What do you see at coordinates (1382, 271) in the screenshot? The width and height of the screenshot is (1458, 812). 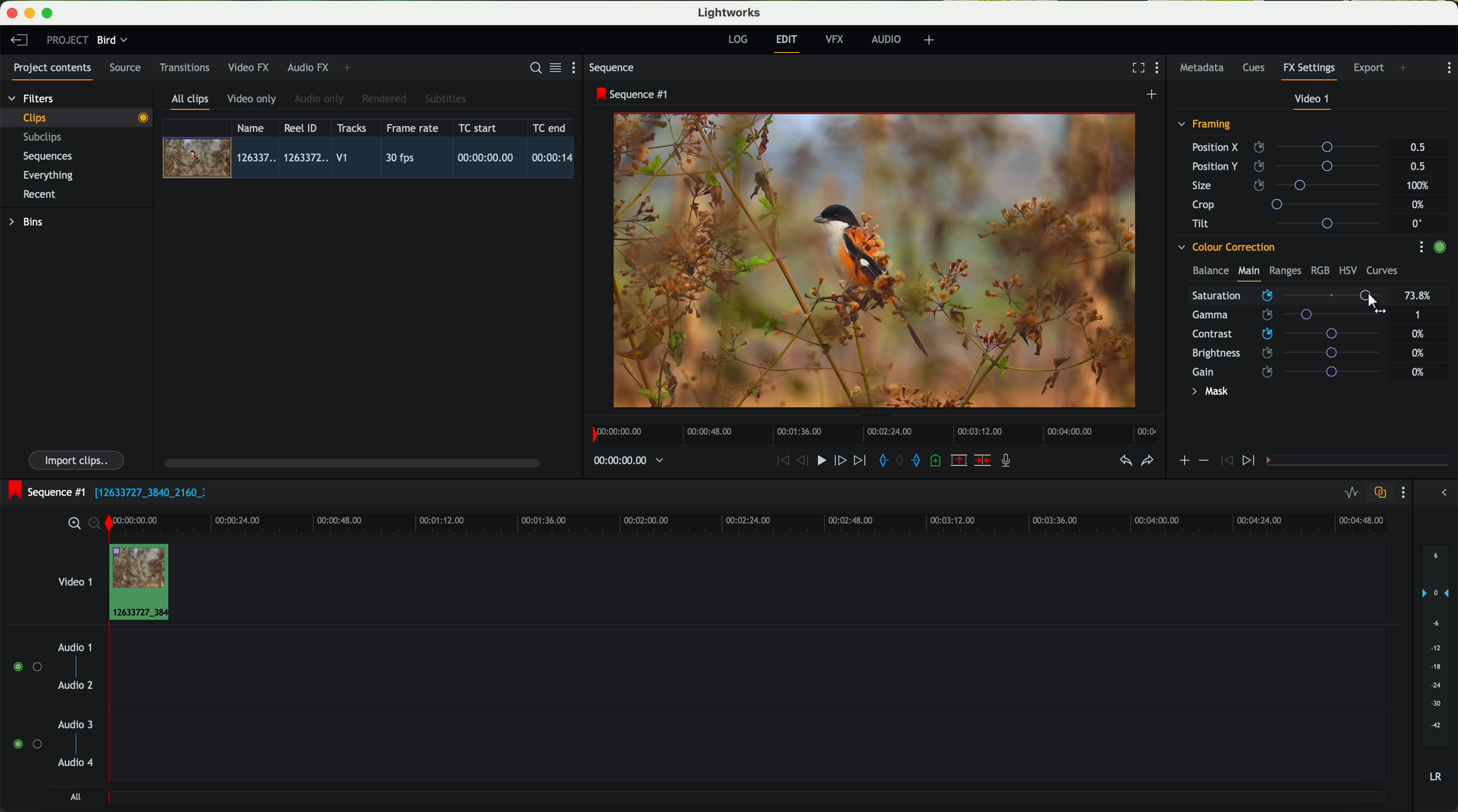 I see `curves` at bounding box center [1382, 271].